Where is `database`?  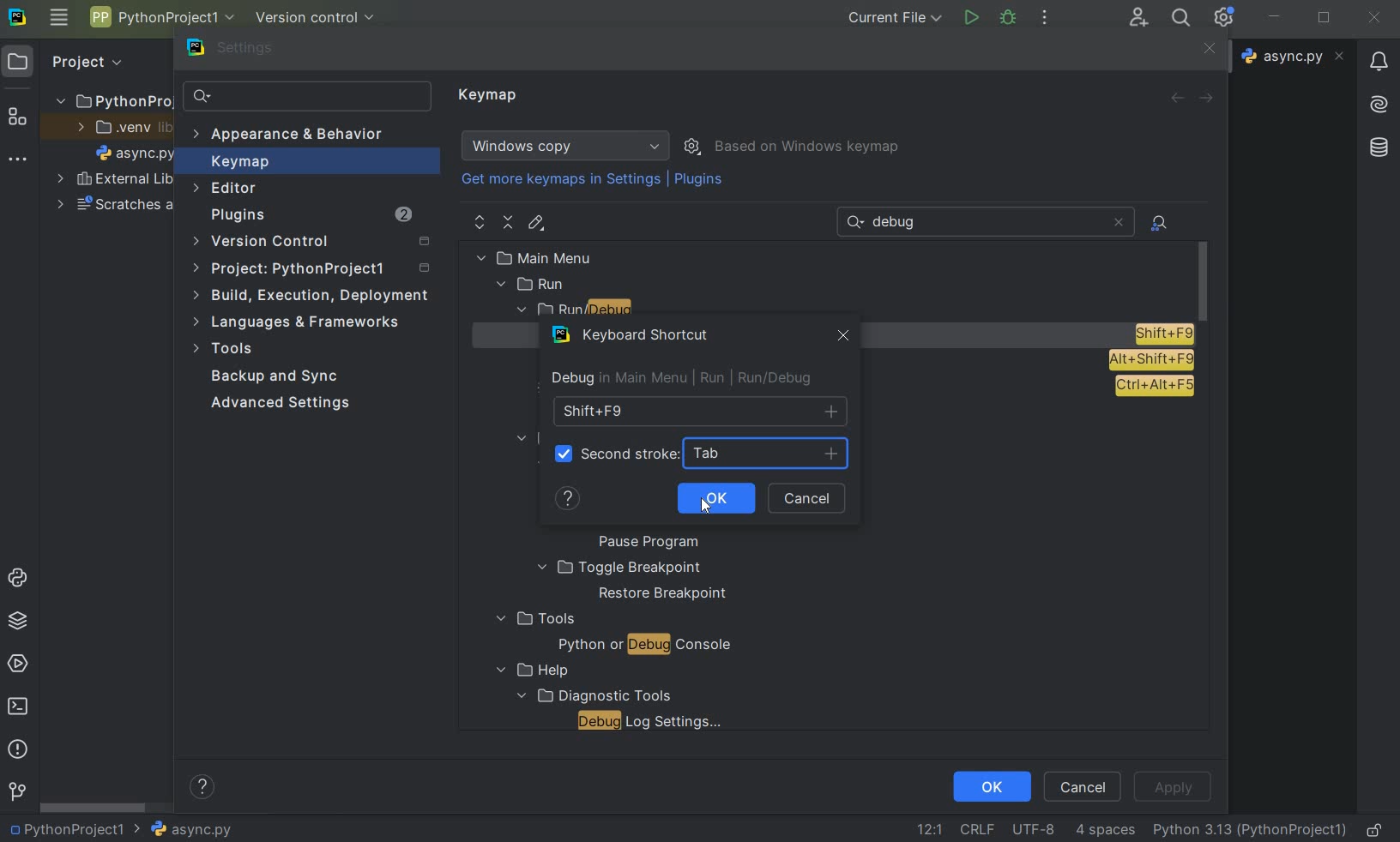 database is located at coordinates (1381, 145).